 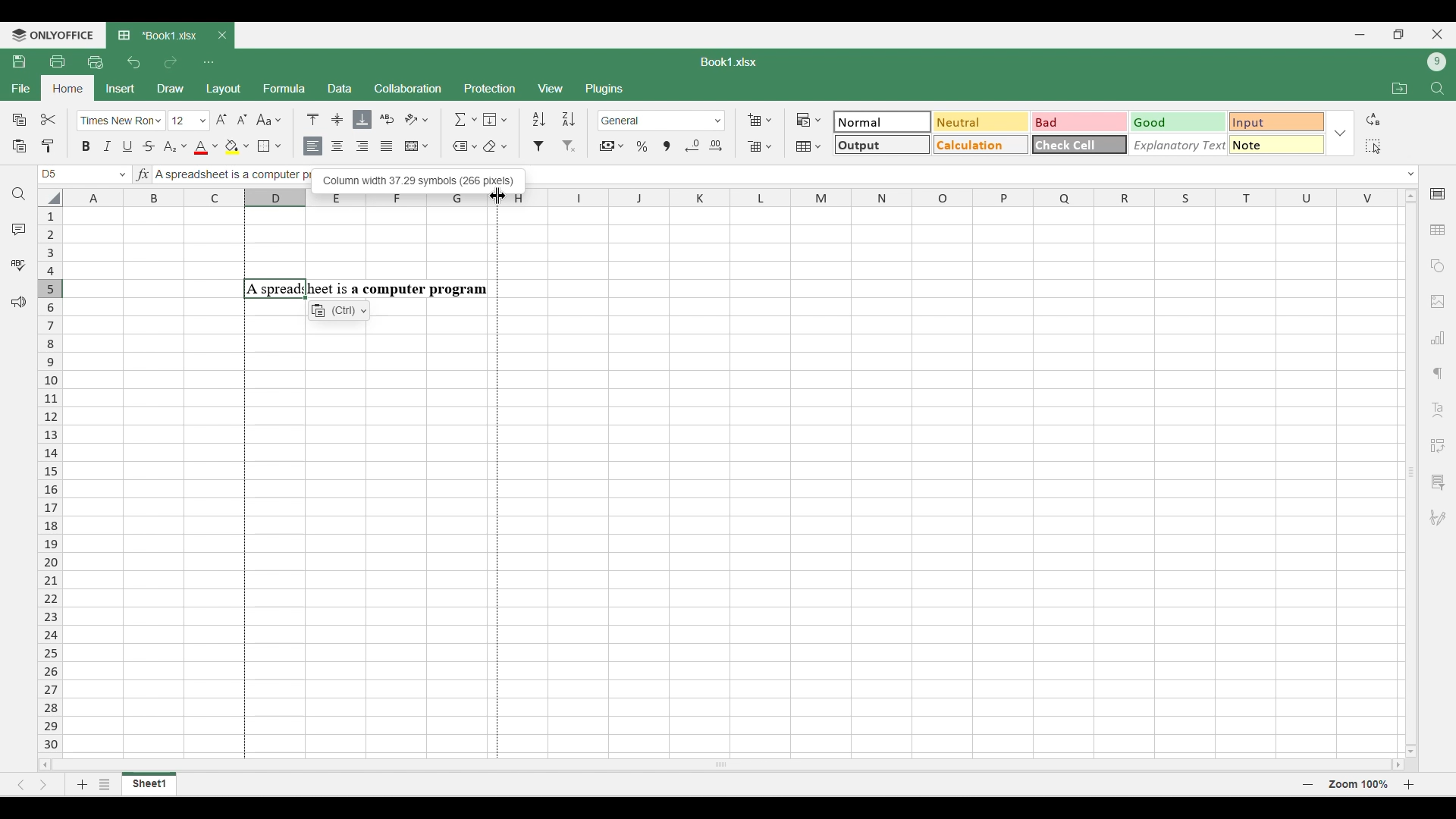 I want to click on Percent style, so click(x=642, y=146).